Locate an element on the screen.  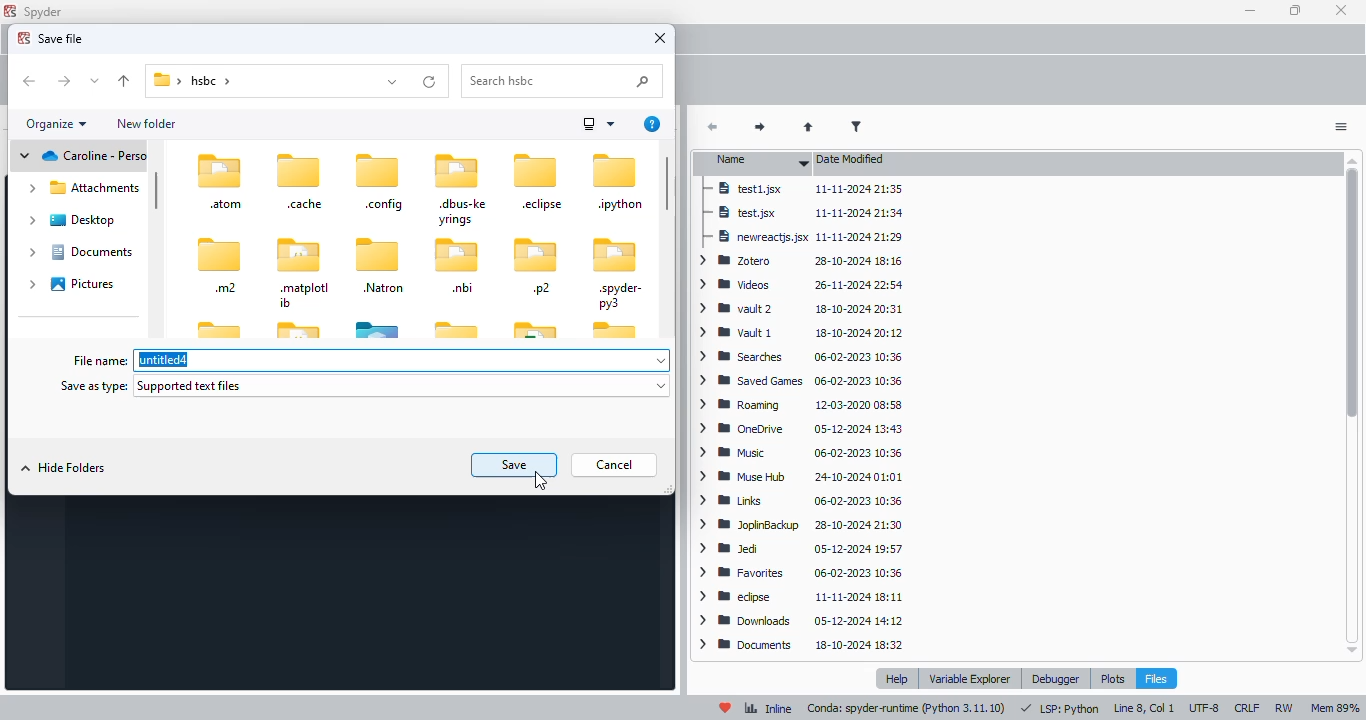
conda: spyder-runtime (python 3. 11. 10) is located at coordinates (907, 709).